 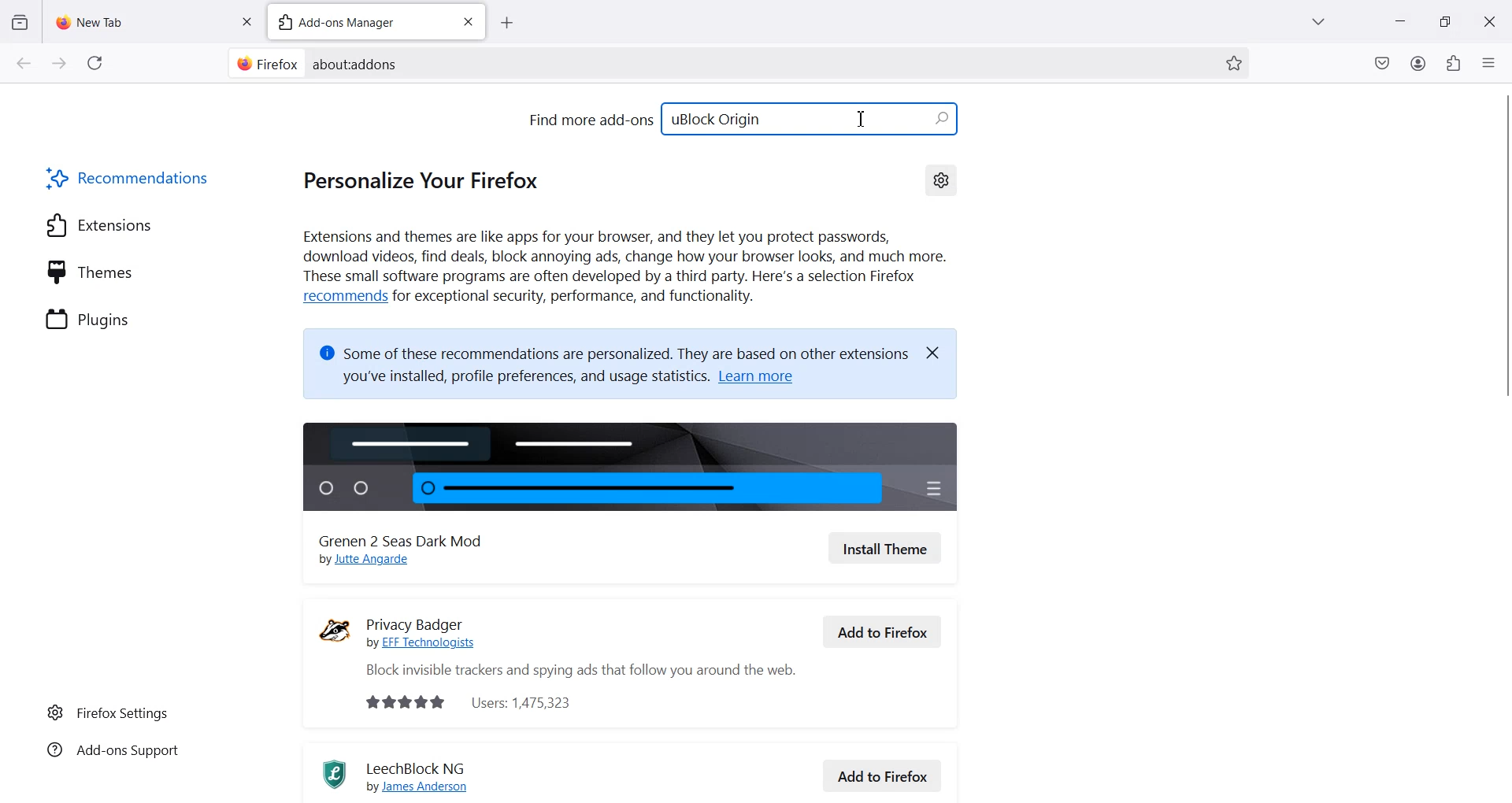 I want to click on Block invisible trackers and spying ads that follow you around the web., so click(x=571, y=671).